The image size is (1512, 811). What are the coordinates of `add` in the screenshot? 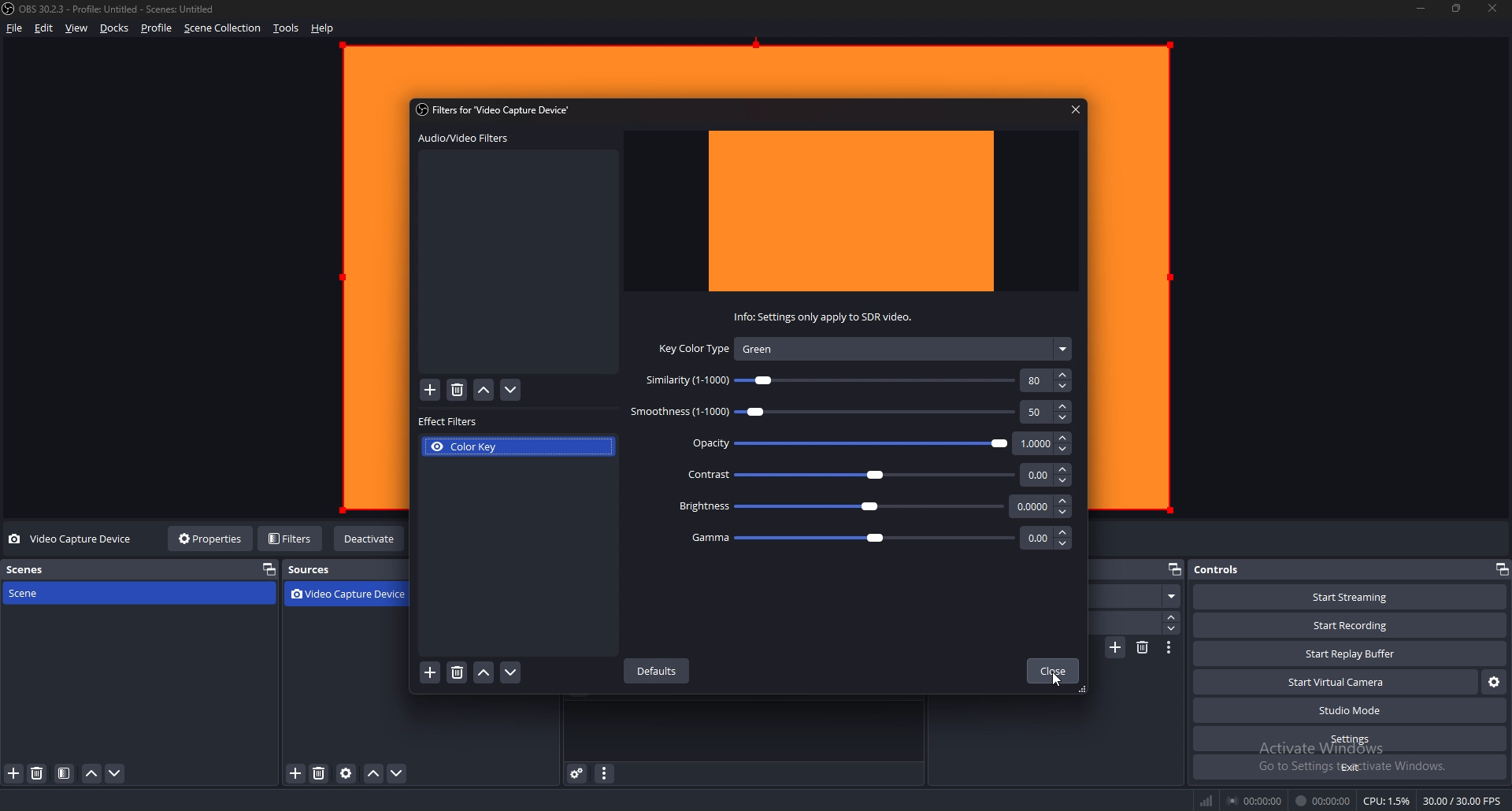 It's located at (431, 391).